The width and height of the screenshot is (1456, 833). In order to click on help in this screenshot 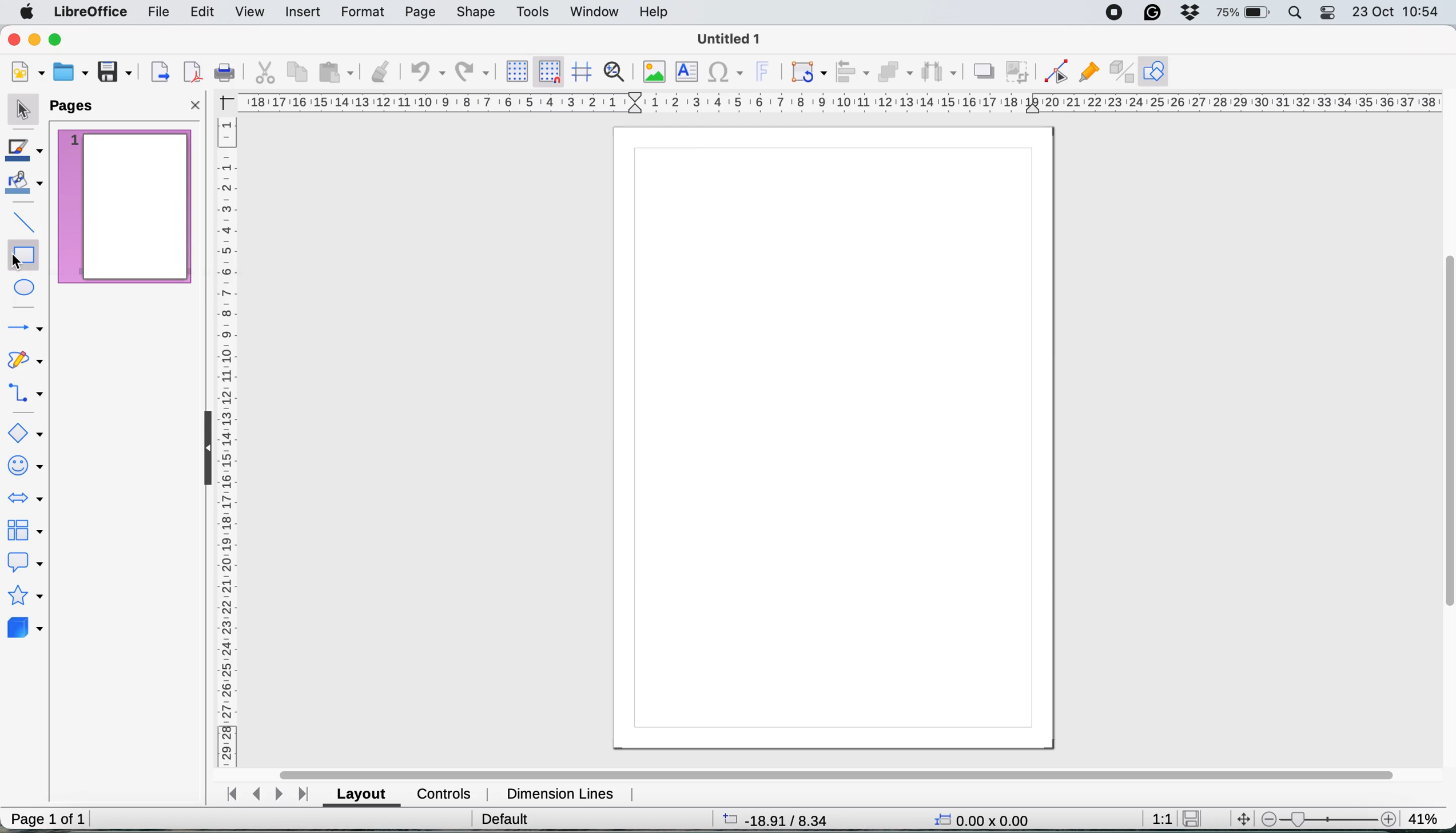, I will do `click(657, 12)`.